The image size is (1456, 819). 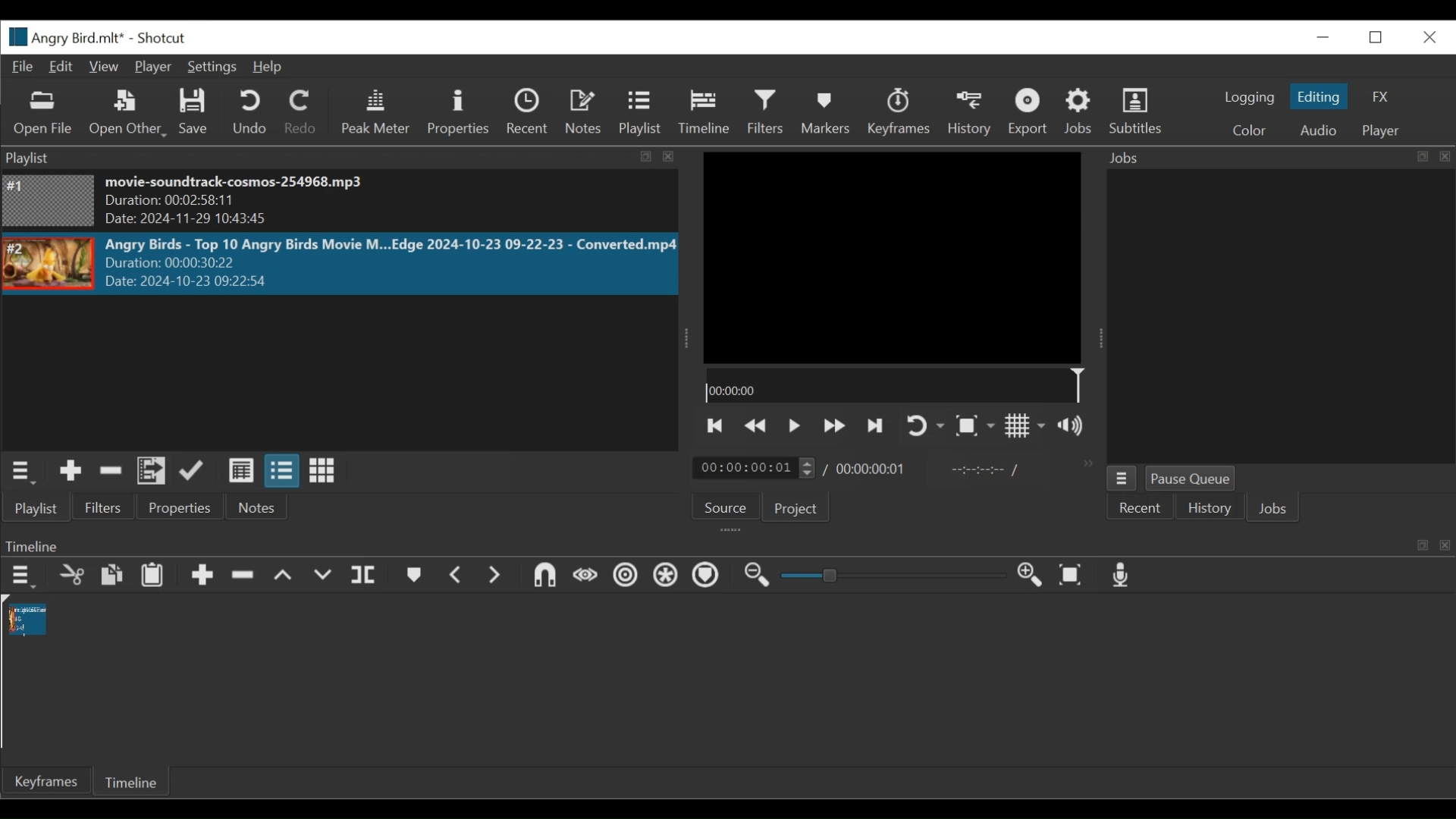 I want to click on Remove cut, so click(x=111, y=472).